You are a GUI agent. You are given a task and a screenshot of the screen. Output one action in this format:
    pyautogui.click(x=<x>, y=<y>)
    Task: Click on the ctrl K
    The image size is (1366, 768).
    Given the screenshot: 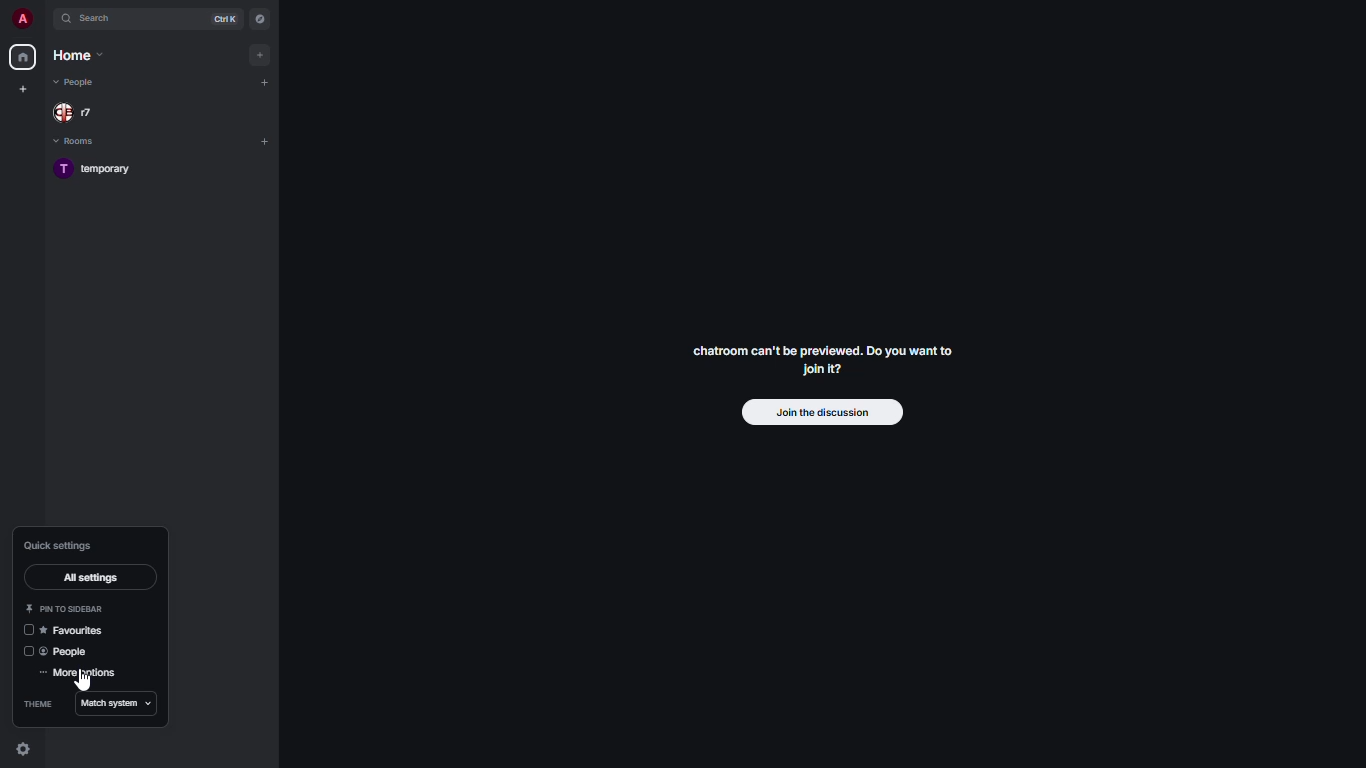 What is the action you would take?
    pyautogui.click(x=225, y=19)
    